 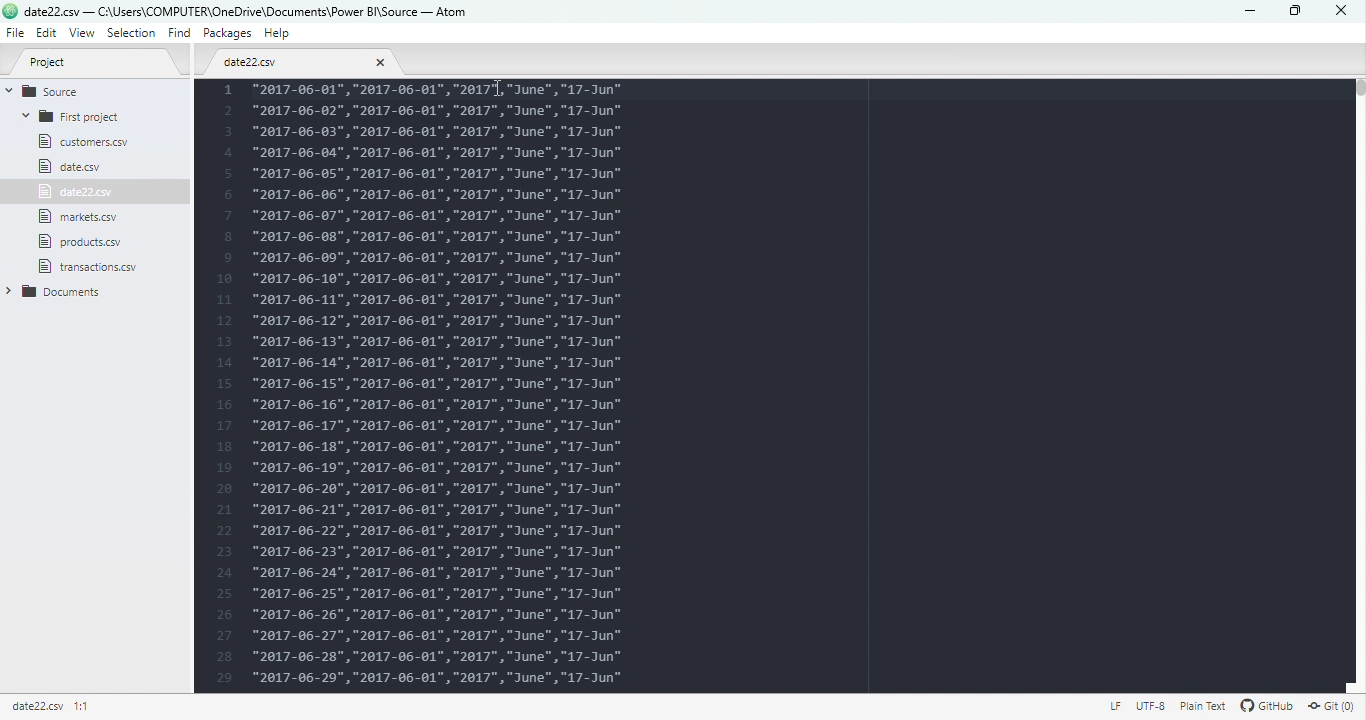 What do you see at coordinates (781, 386) in the screenshot?
I see `File content that mentions a series of date for the month of June in the year 2017. The start date is 1st while the end date is 29th and the file seems to be focused on one particular date i.e. 17th june 2017. ` at bounding box center [781, 386].